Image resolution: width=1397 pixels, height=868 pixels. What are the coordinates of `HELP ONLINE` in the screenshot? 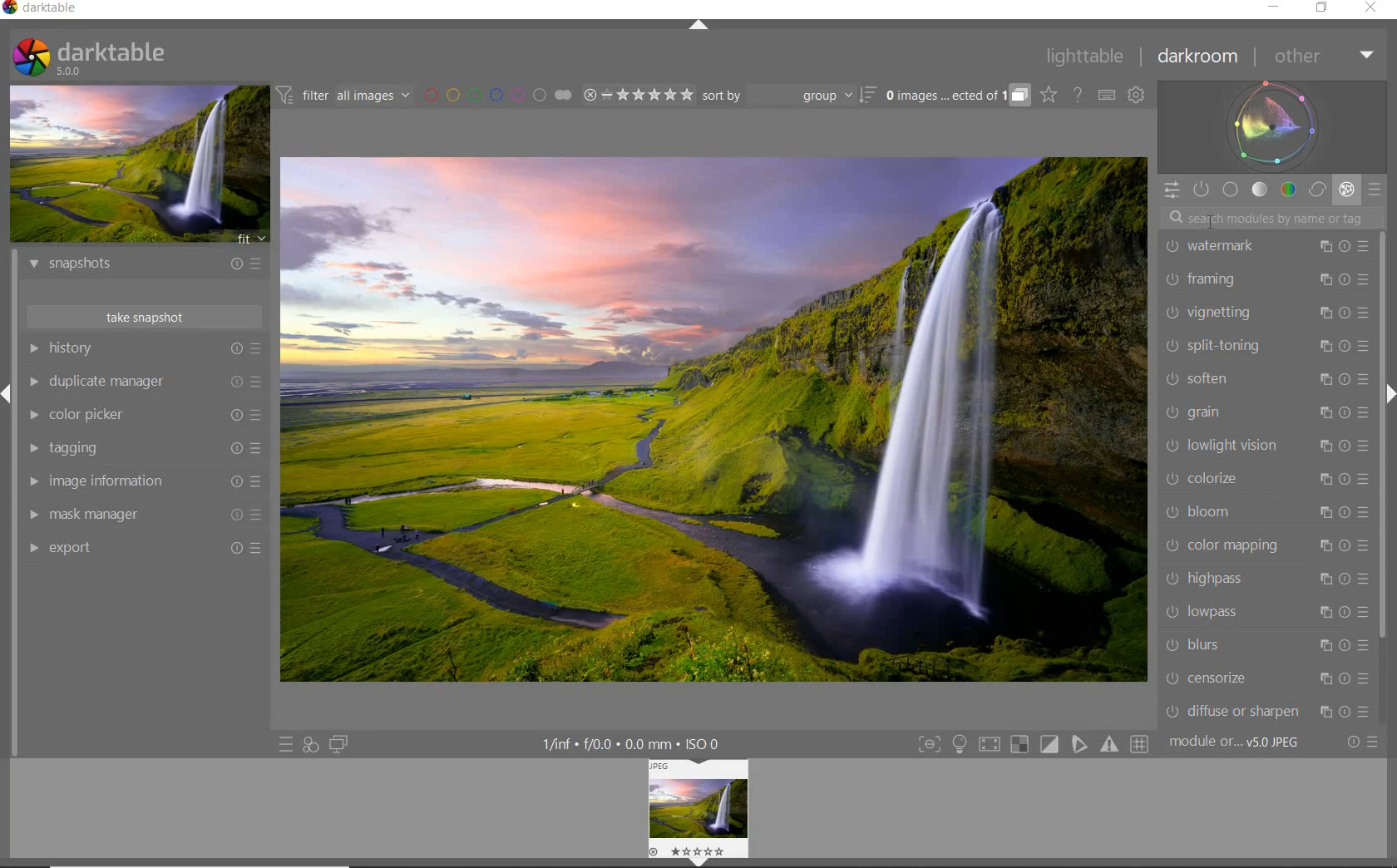 It's located at (1078, 95).